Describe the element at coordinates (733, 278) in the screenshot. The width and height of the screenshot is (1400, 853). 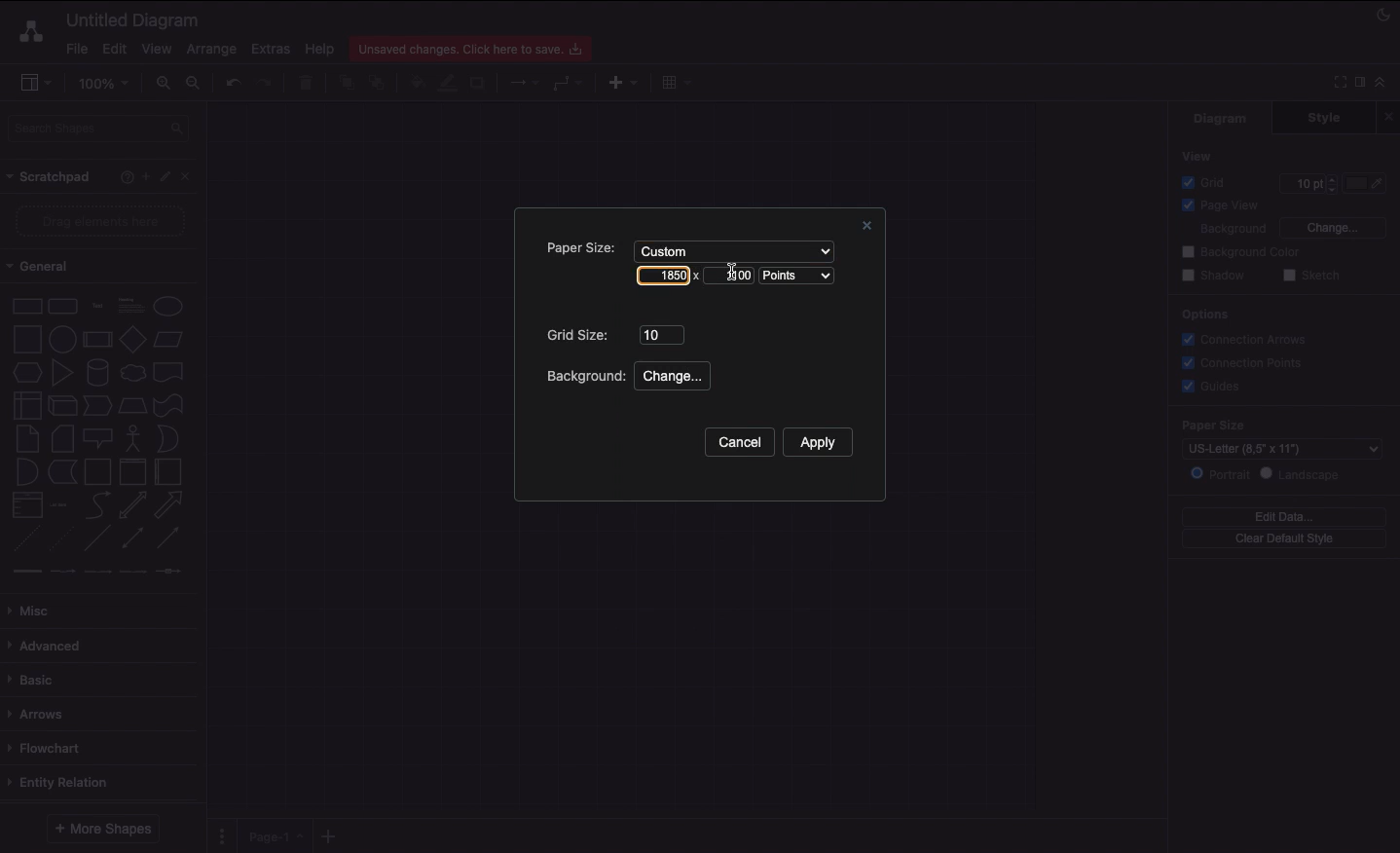
I see `Cursor` at that location.